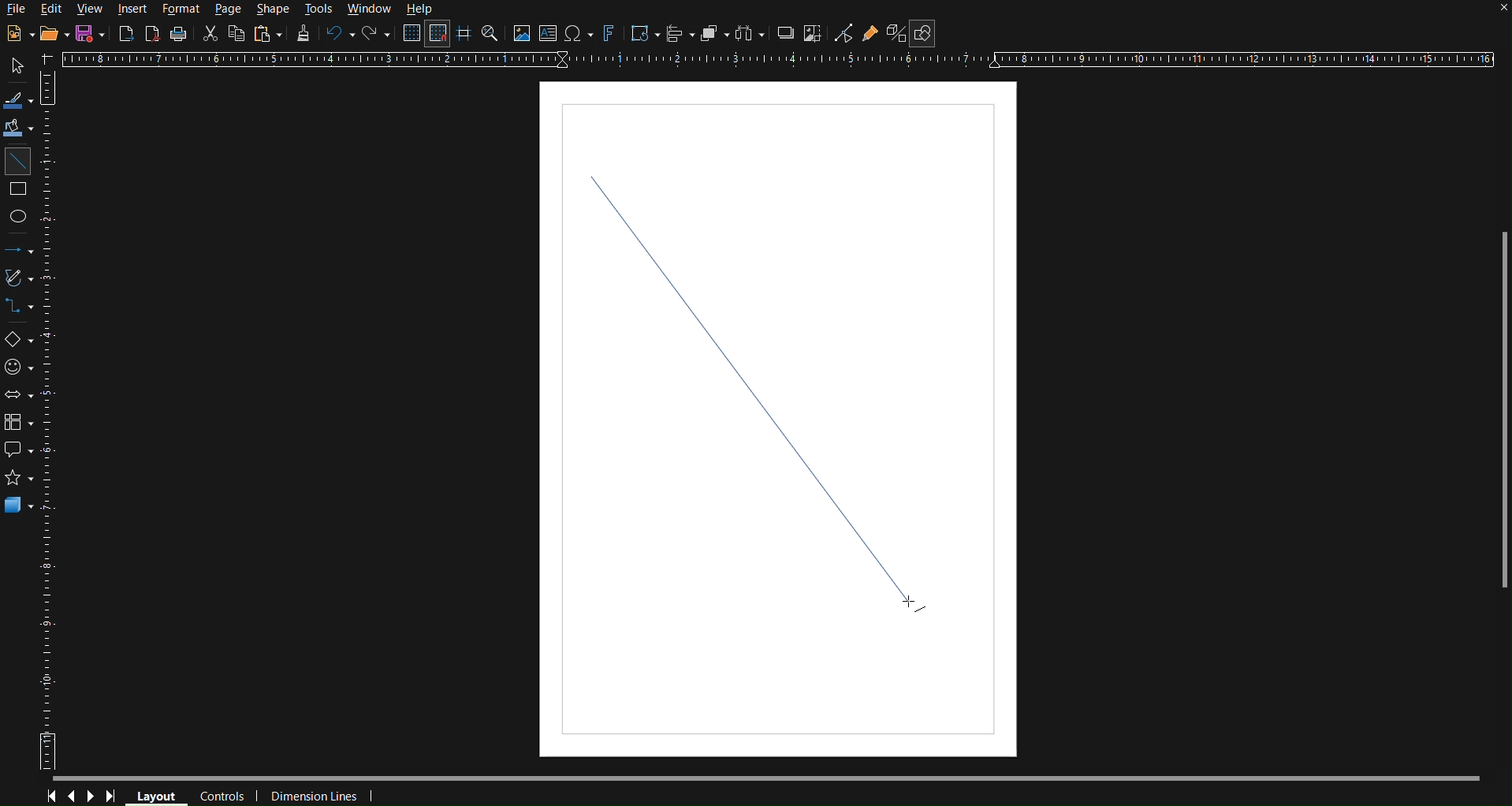 The image size is (1512, 806). What do you see at coordinates (19, 67) in the screenshot?
I see `Select` at bounding box center [19, 67].